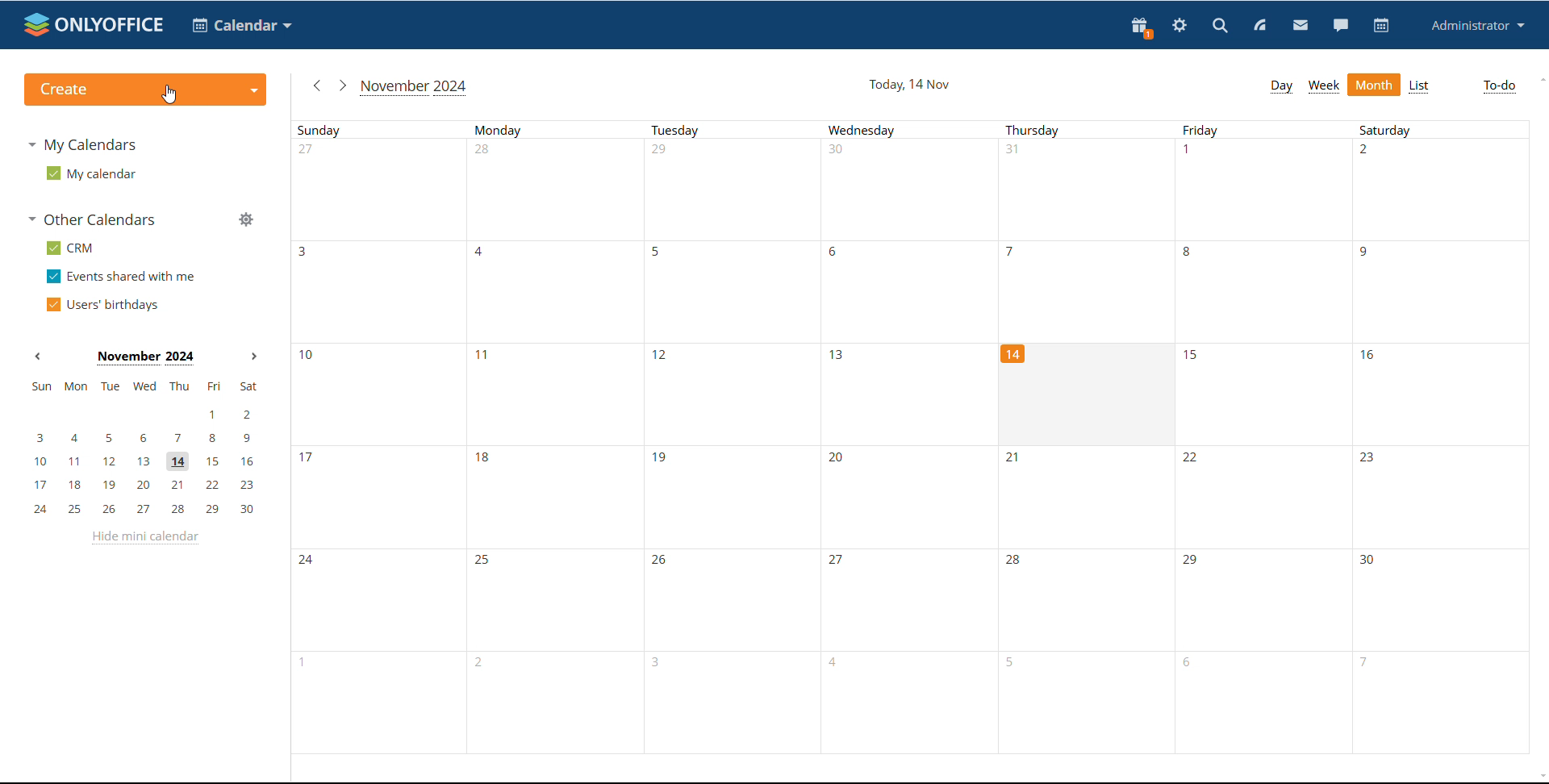  I want to click on week view, so click(1324, 85).